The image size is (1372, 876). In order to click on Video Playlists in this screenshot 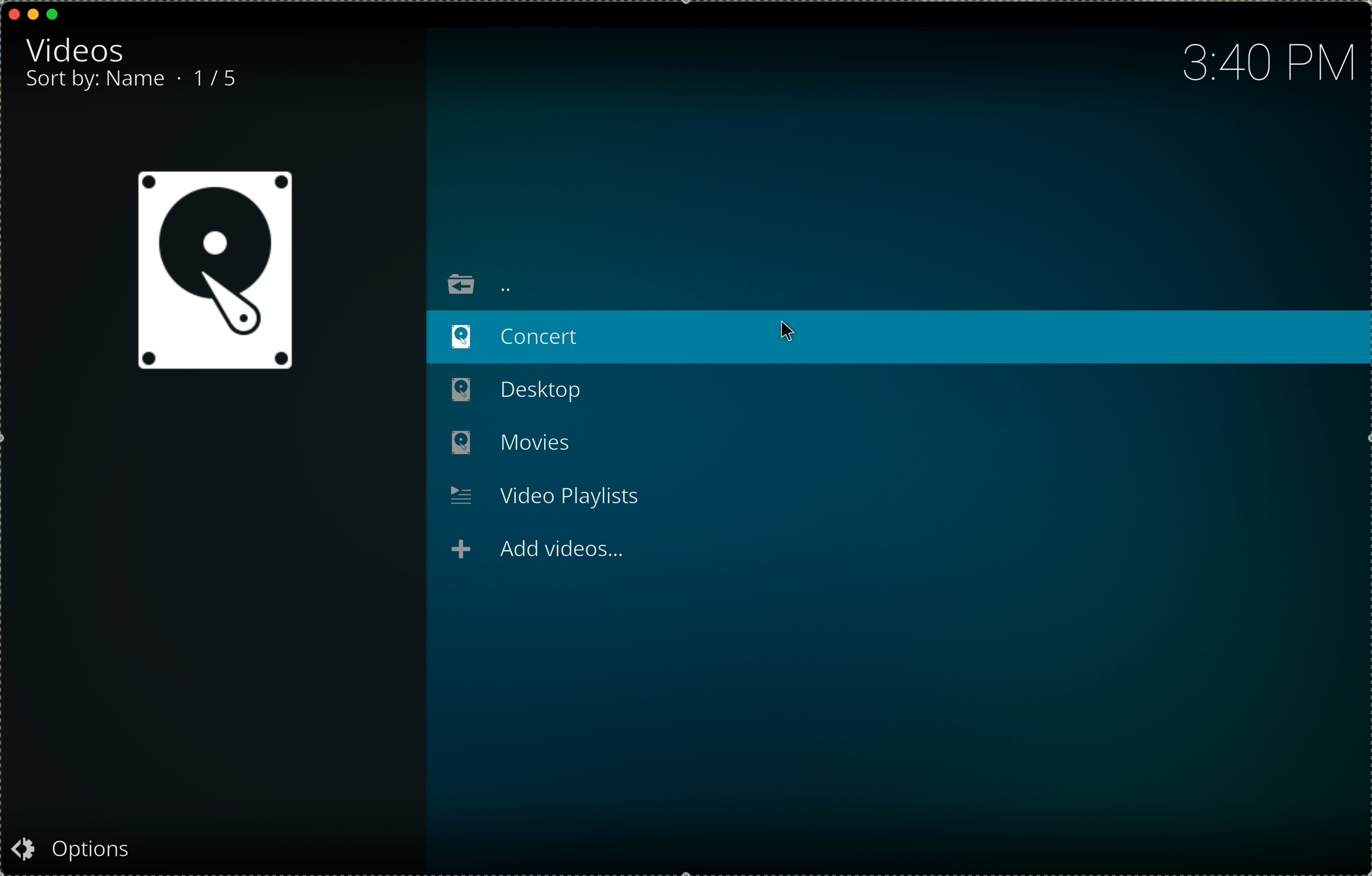, I will do `click(553, 496)`.